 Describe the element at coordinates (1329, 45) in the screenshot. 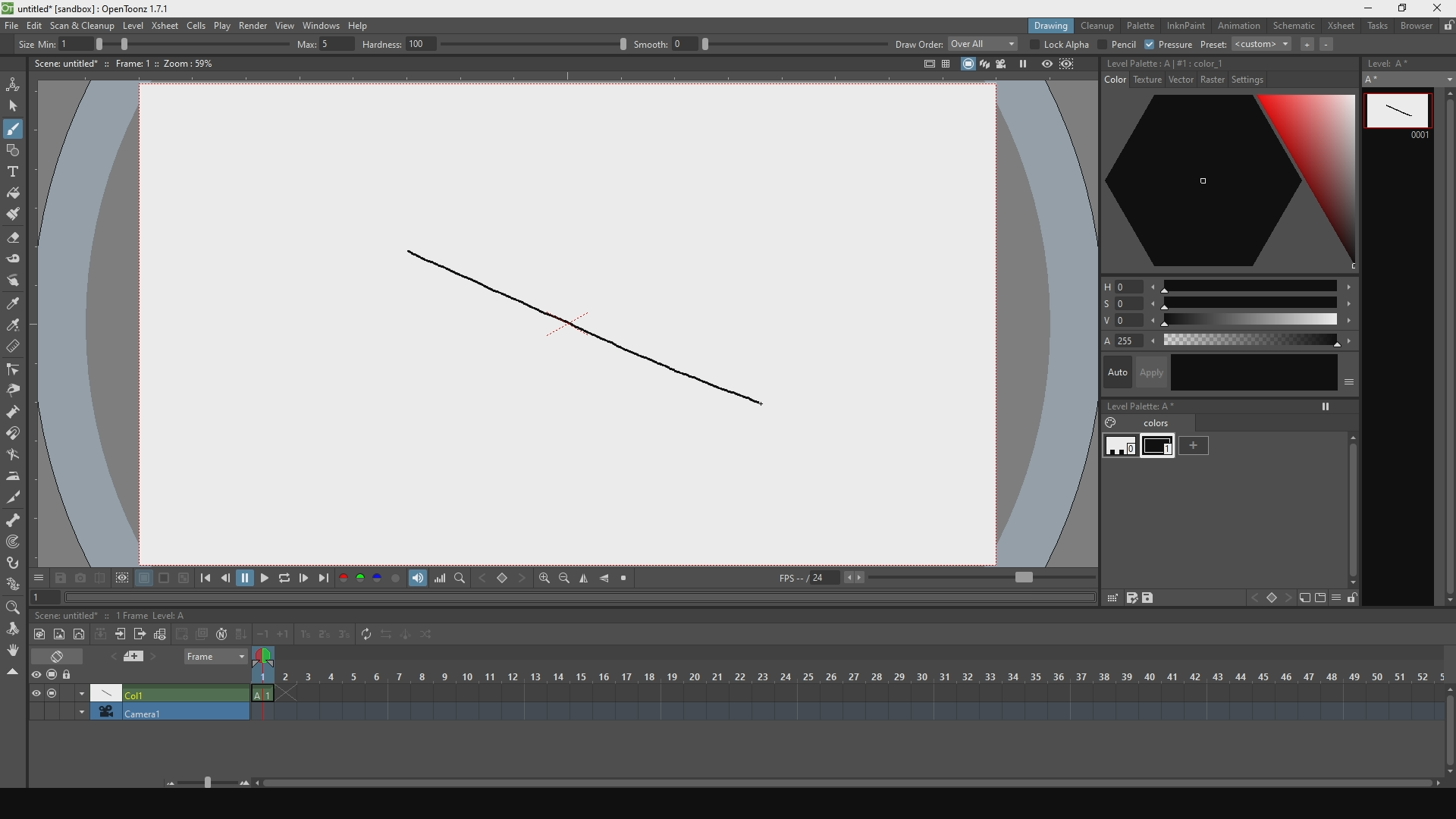

I see `` at that location.